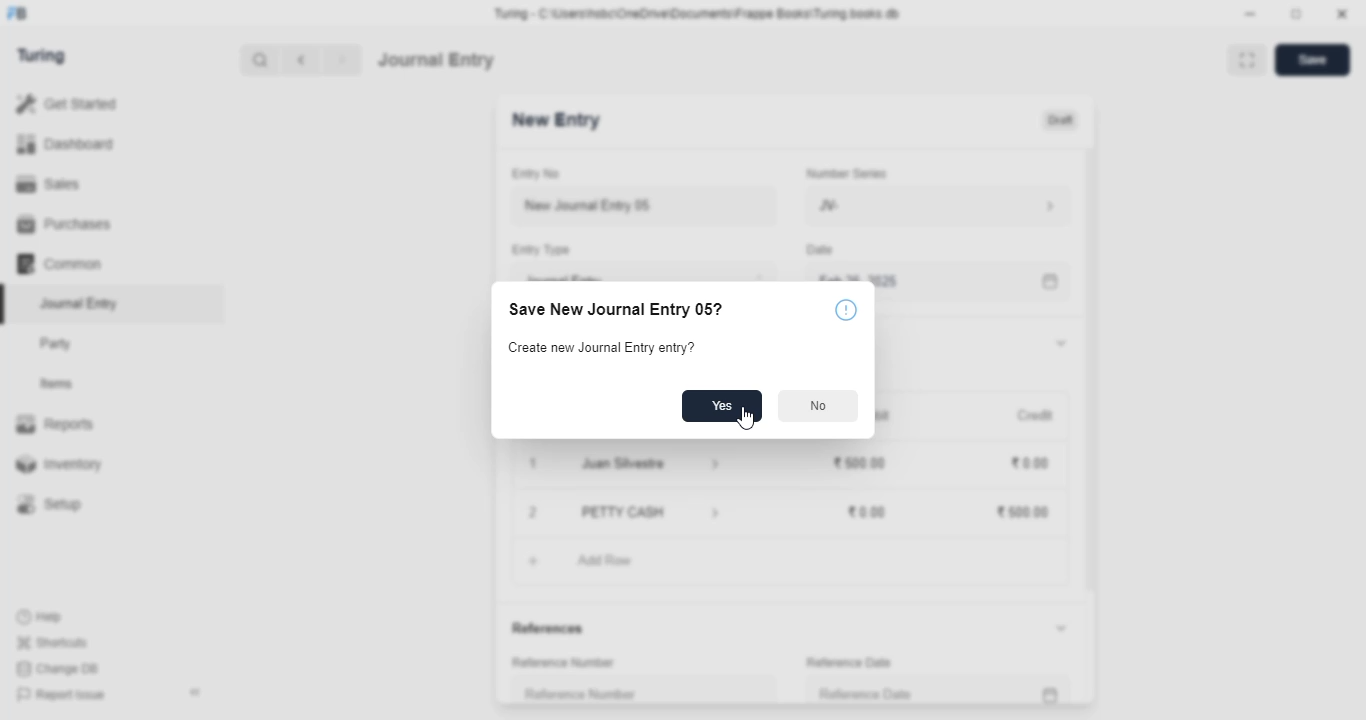 The height and width of the screenshot is (720, 1366). What do you see at coordinates (535, 466) in the screenshot?
I see `1` at bounding box center [535, 466].